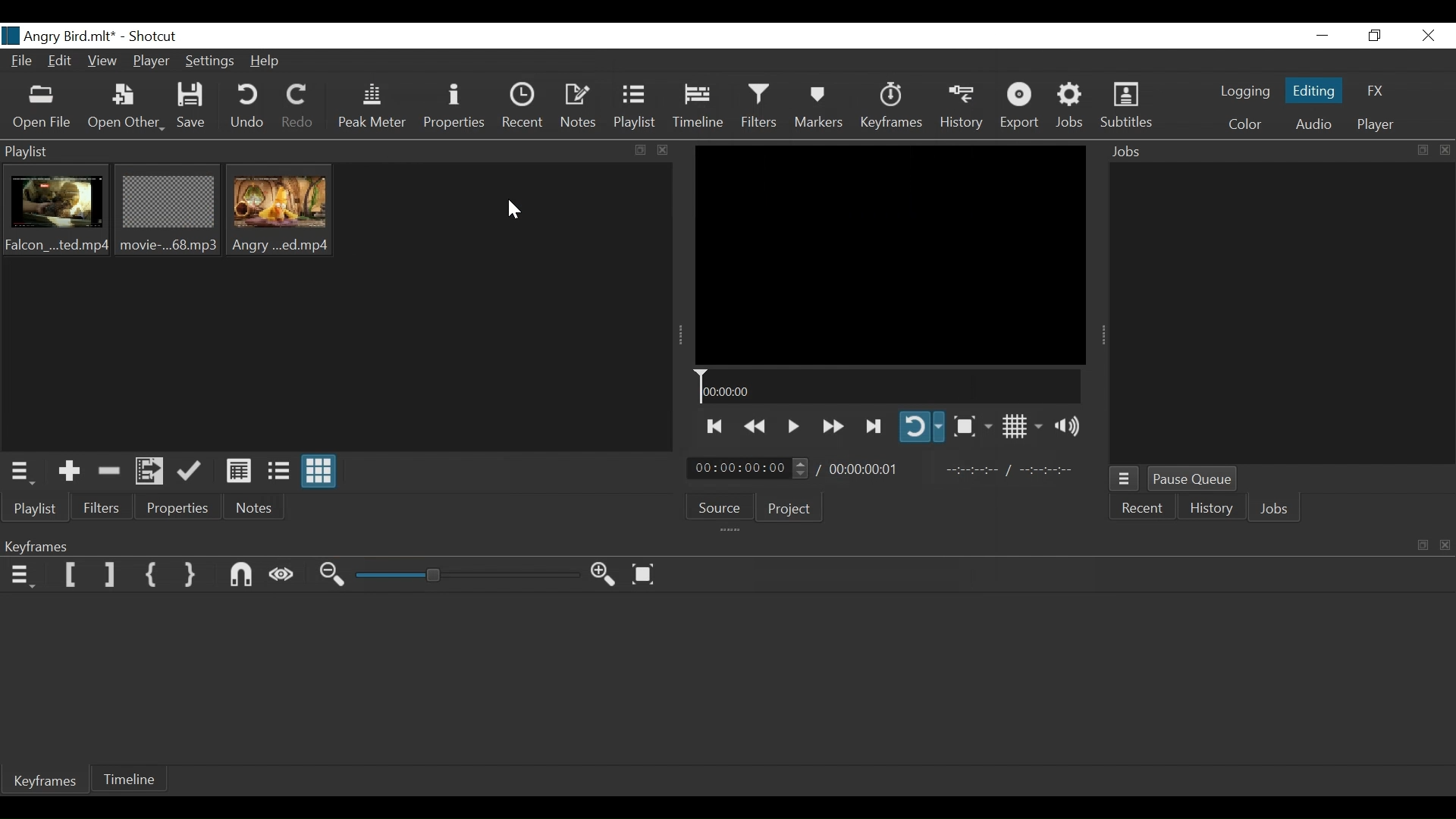 This screenshot has height=819, width=1456. I want to click on Source, so click(726, 507).